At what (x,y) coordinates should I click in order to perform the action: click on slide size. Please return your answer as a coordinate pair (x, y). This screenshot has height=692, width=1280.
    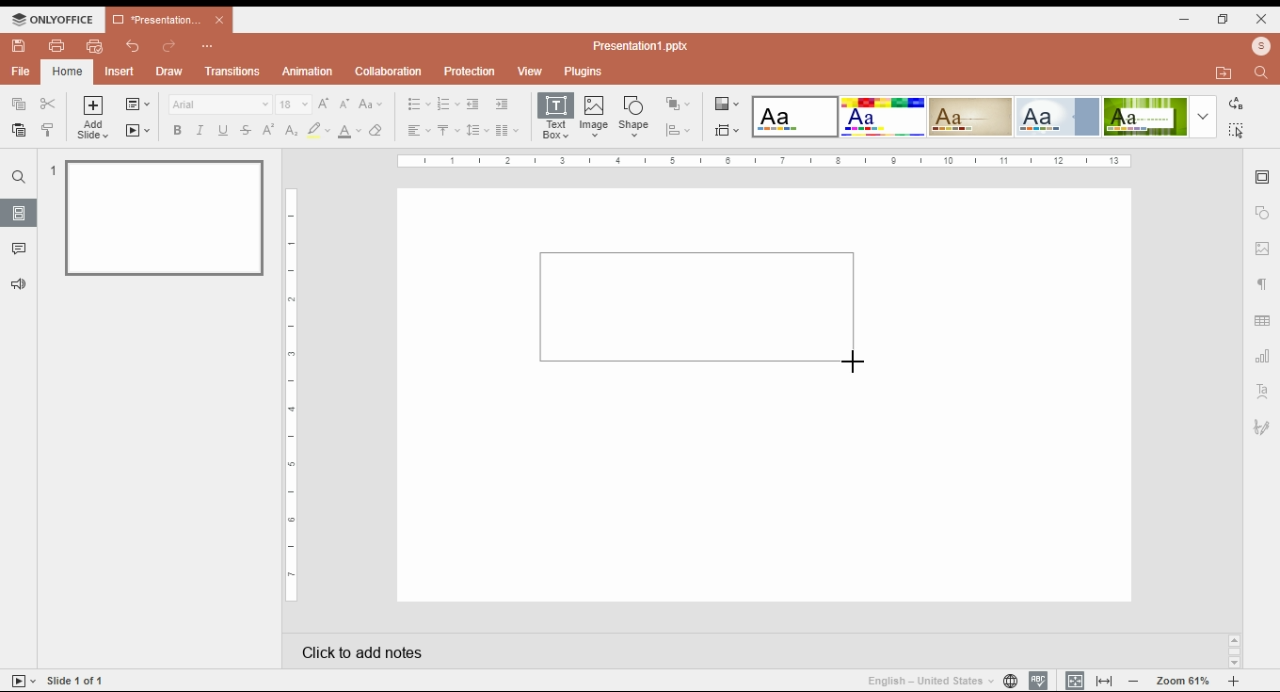
    Looking at the image, I should click on (727, 131).